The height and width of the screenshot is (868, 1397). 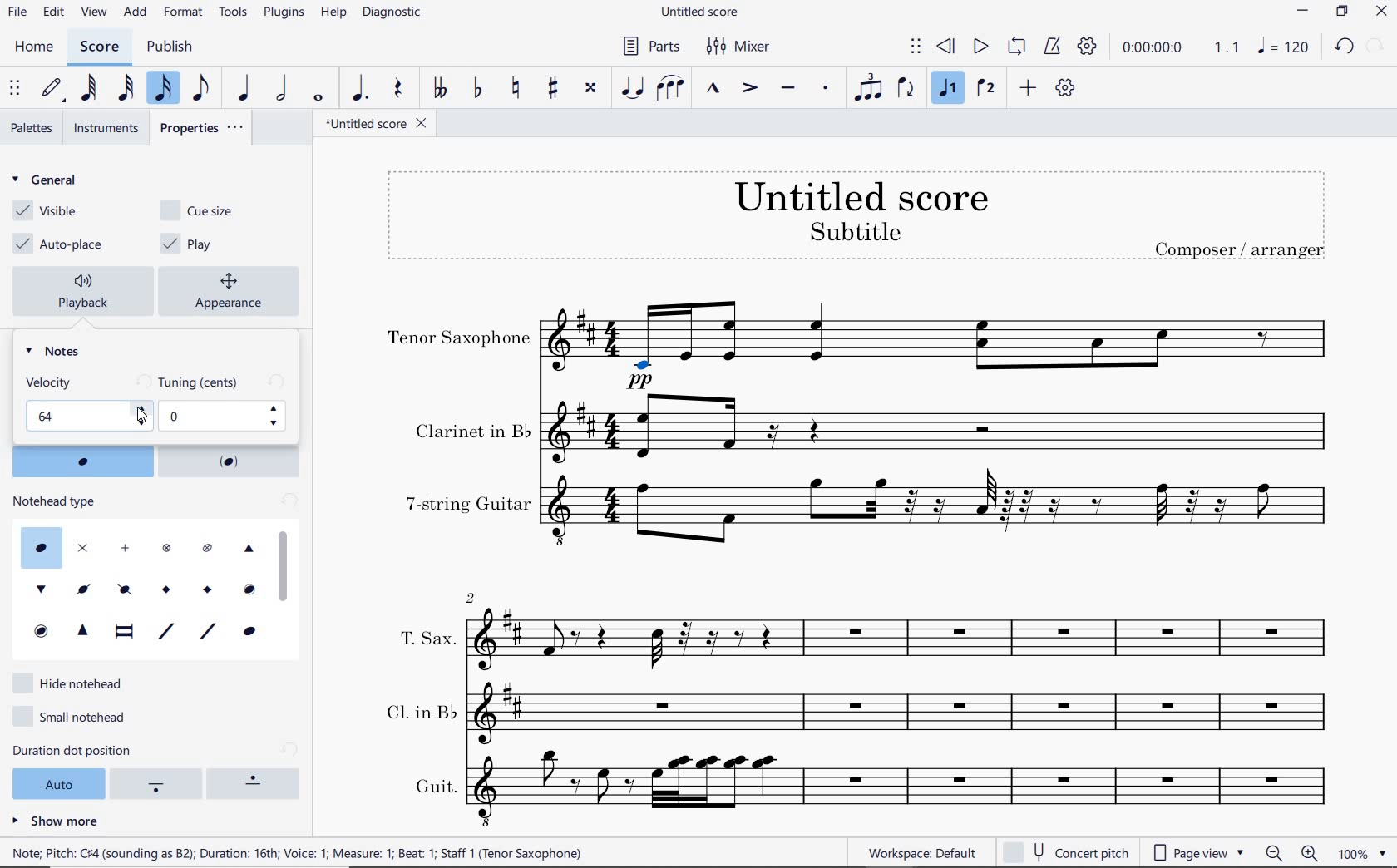 I want to click on QUARTER NOTE, so click(x=245, y=88).